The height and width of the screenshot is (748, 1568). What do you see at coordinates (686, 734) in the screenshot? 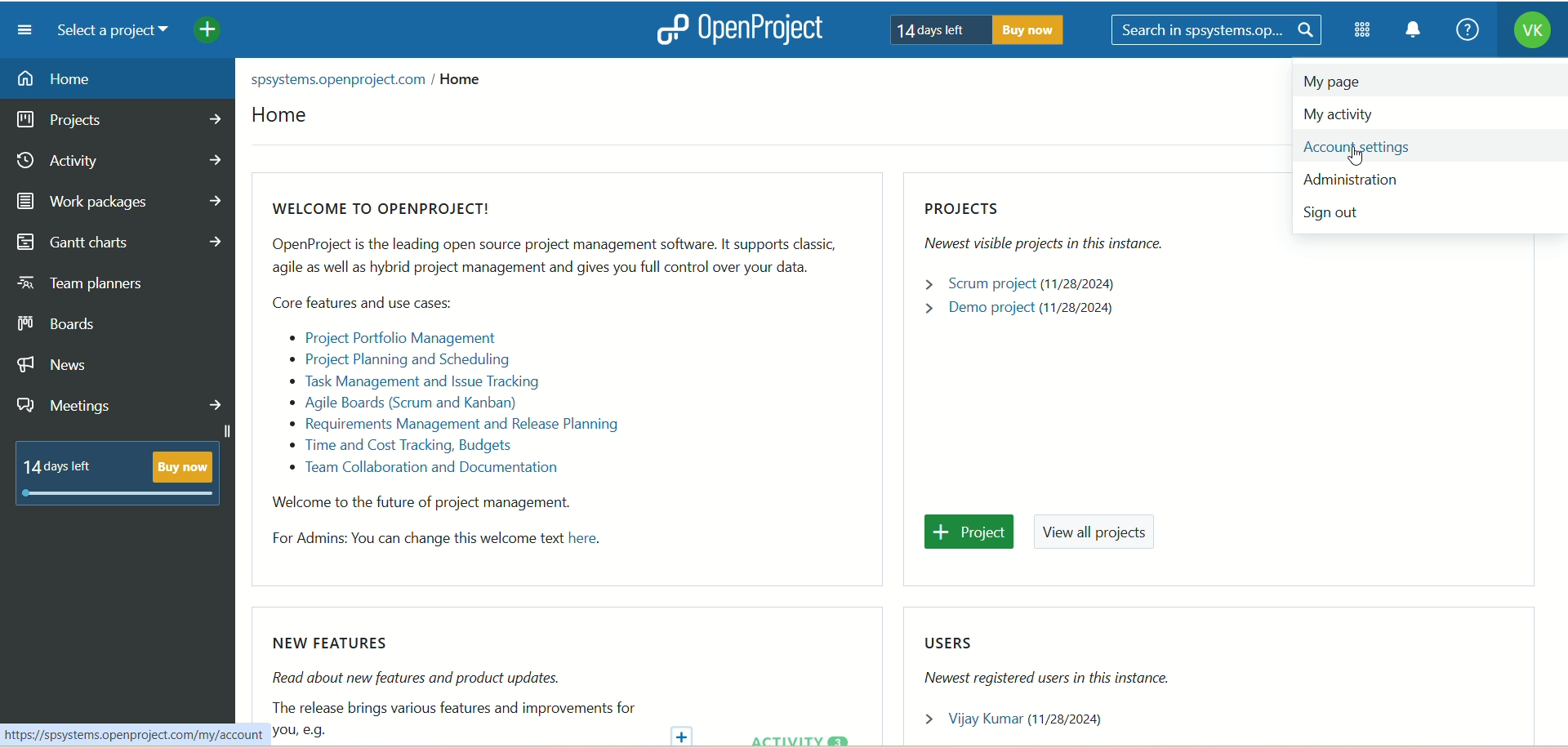
I see `add` at bounding box center [686, 734].